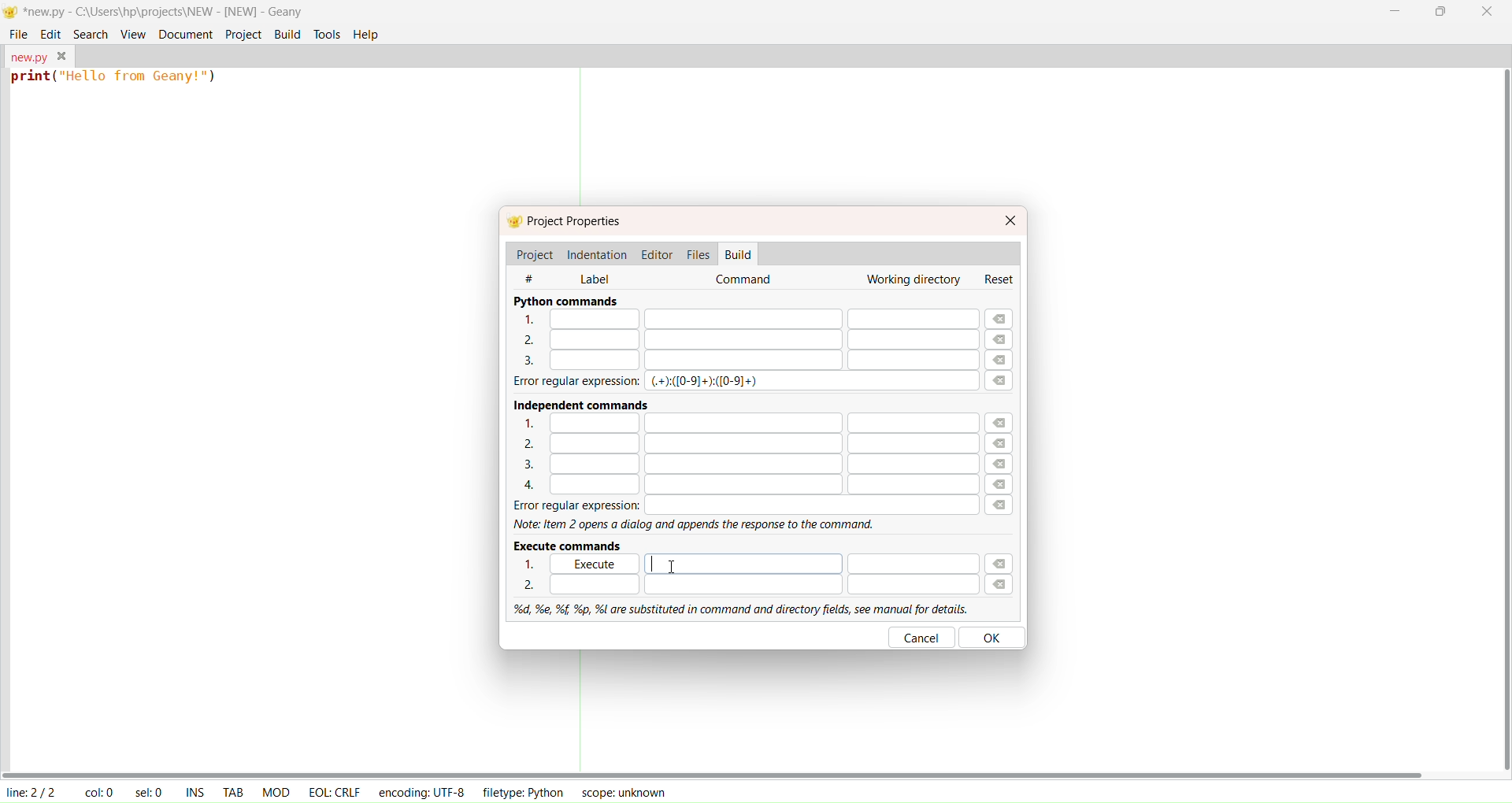 This screenshot has height=803, width=1512. Describe the element at coordinates (151, 792) in the screenshot. I see `set: 0` at that location.